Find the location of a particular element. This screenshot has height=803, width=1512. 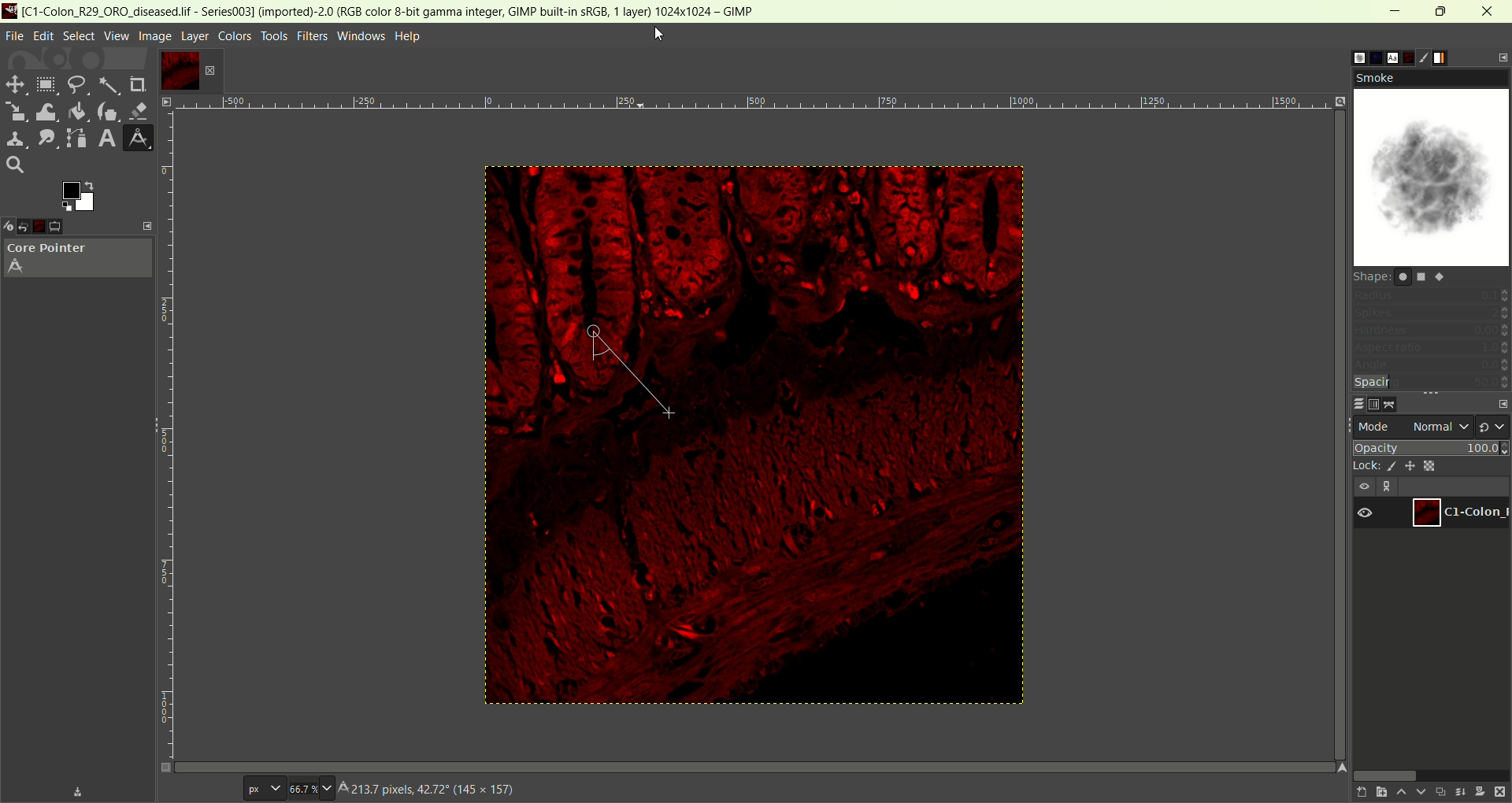

smudge tool is located at coordinates (43, 138).